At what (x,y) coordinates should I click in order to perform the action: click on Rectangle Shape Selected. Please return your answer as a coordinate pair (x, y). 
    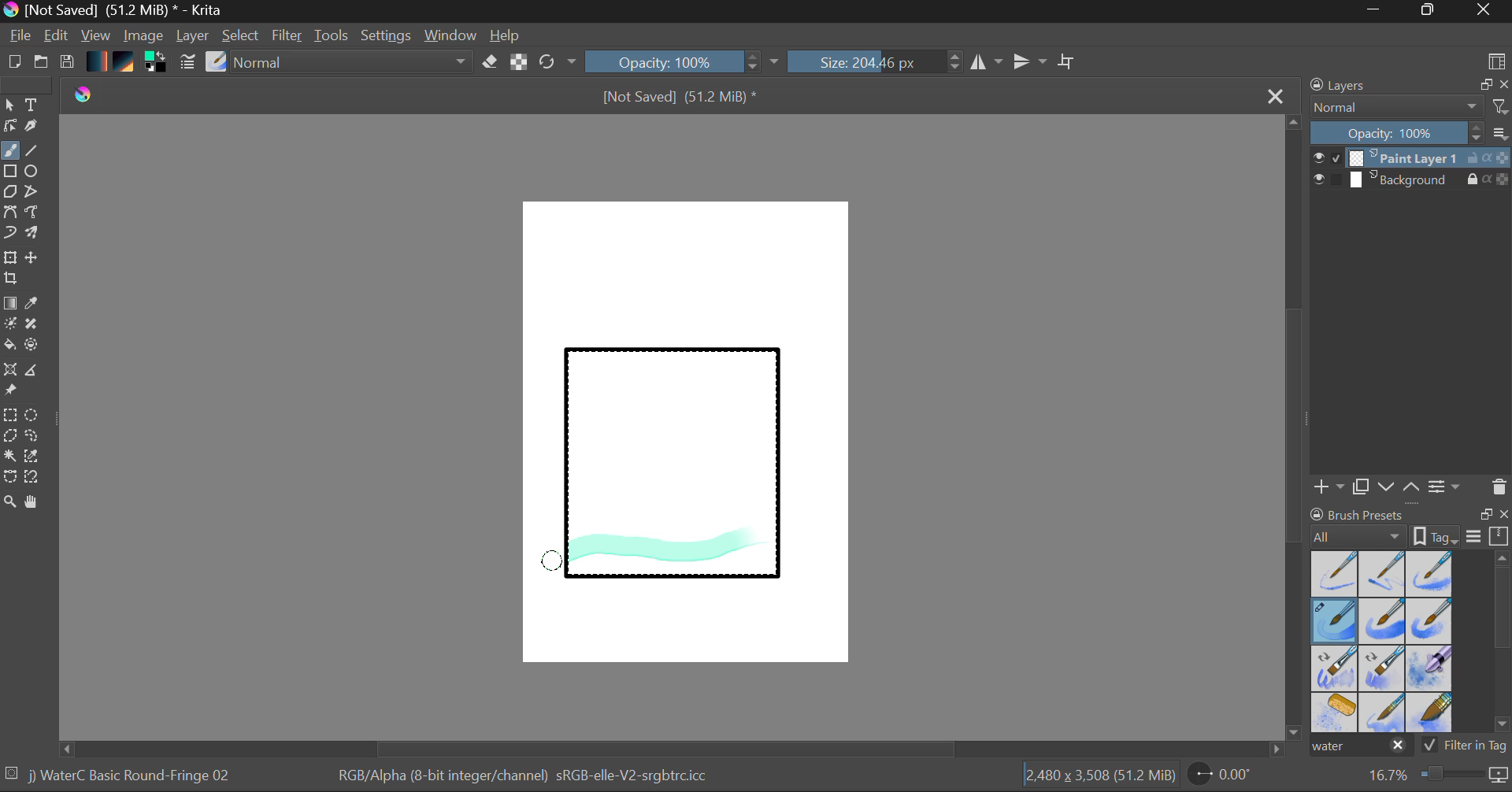
    Looking at the image, I should click on (674, 479).